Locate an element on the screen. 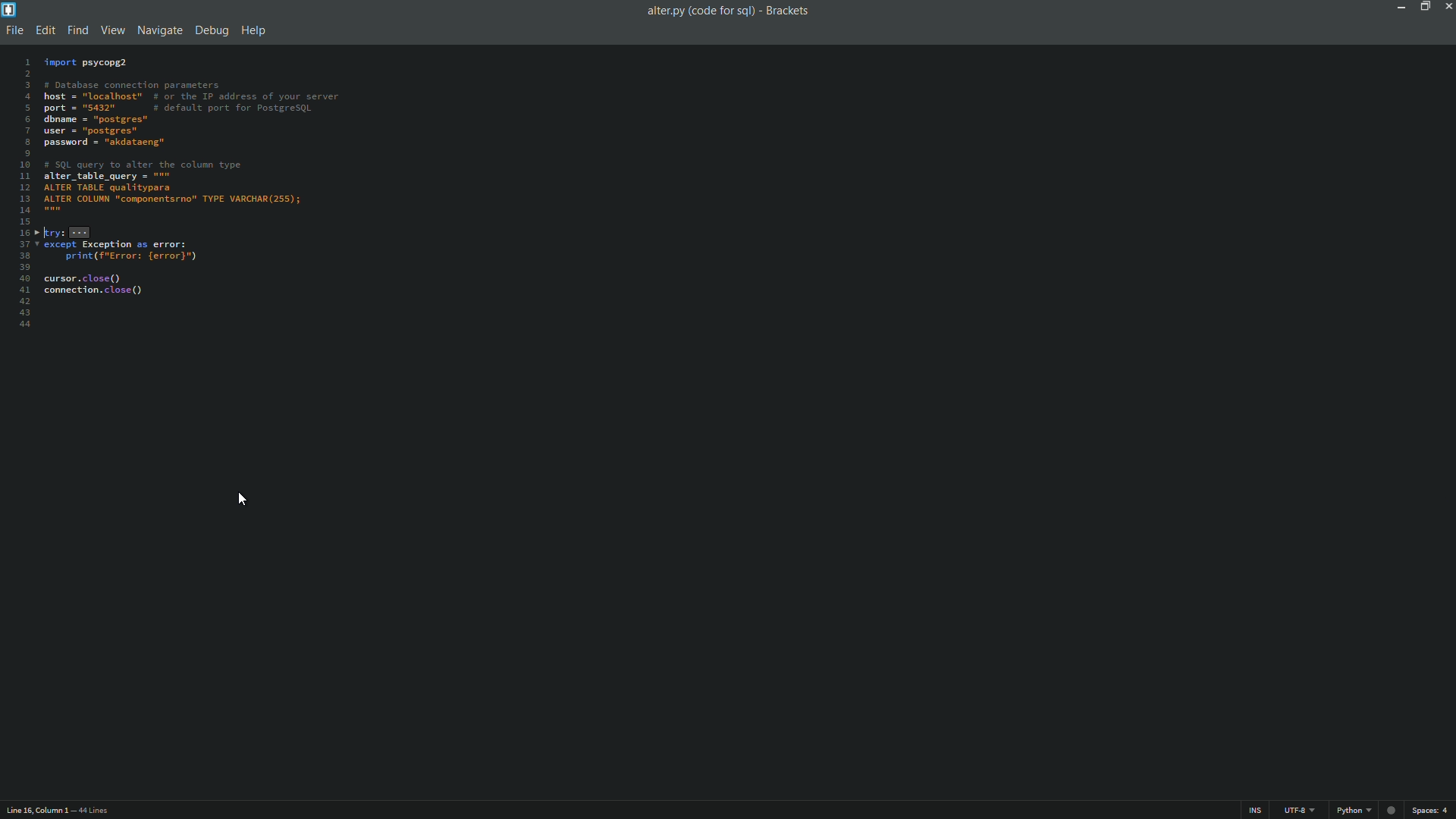 The width and height of the screenshot is (1456, 819). edit menu is located at coordinates (44, 30).